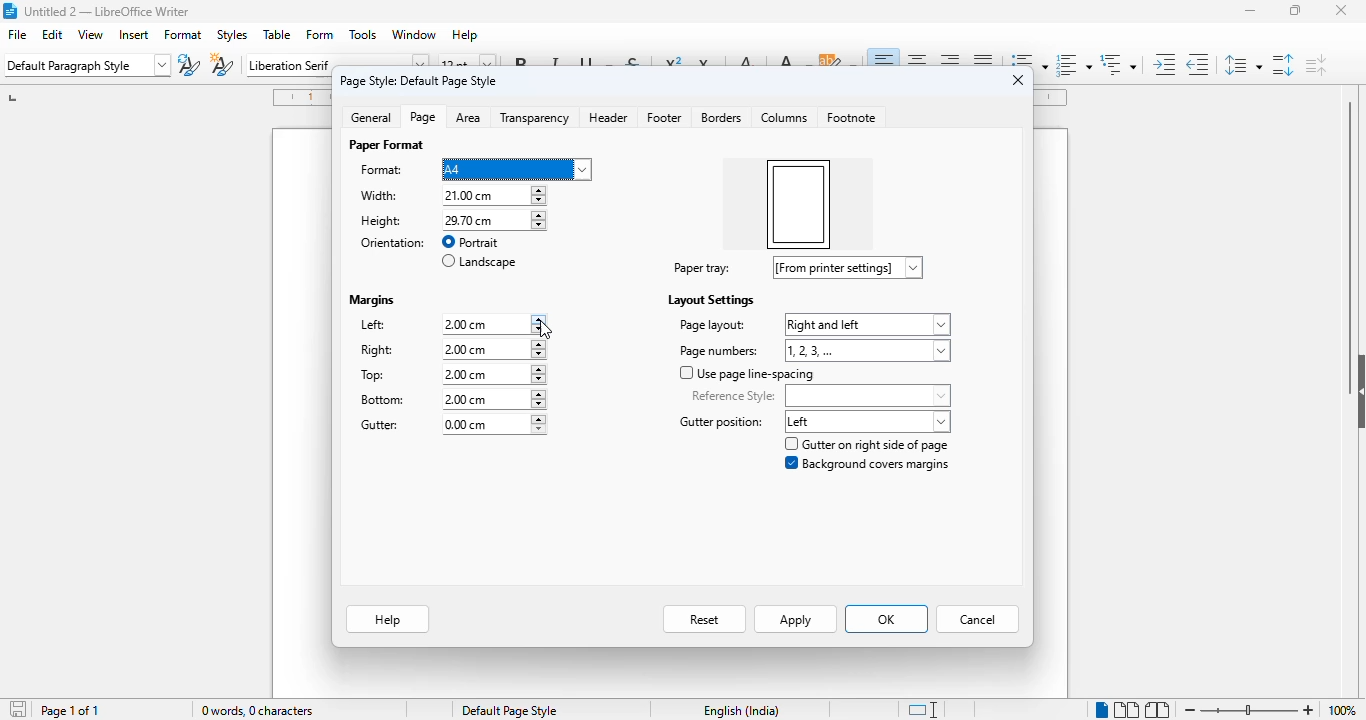 Image resolution: width=1366 pixels, height=720 pixels. I want to click on height input box, so click(475, 220).